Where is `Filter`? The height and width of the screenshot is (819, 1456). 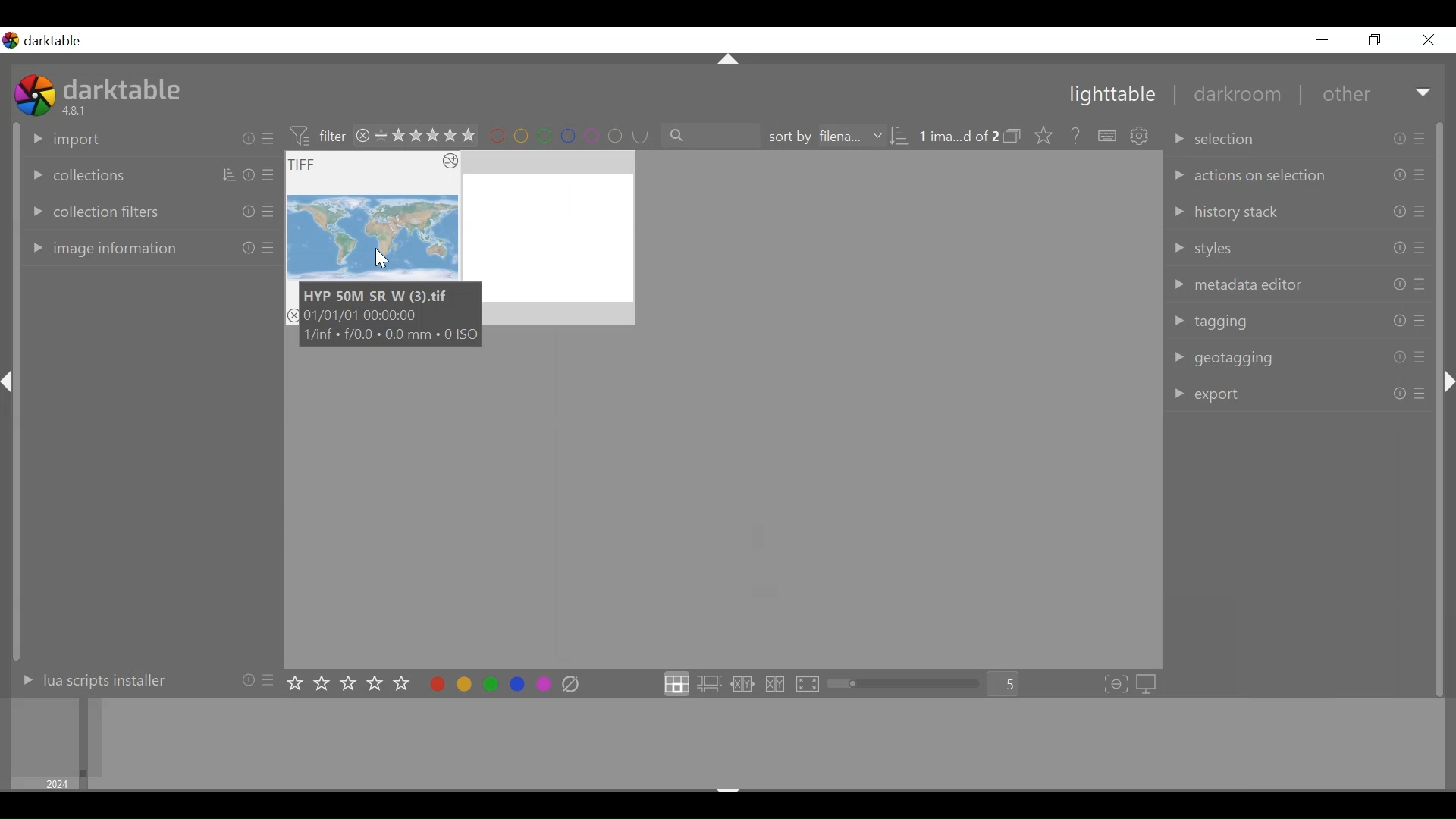
Filter is located at coordinates (315, 137).